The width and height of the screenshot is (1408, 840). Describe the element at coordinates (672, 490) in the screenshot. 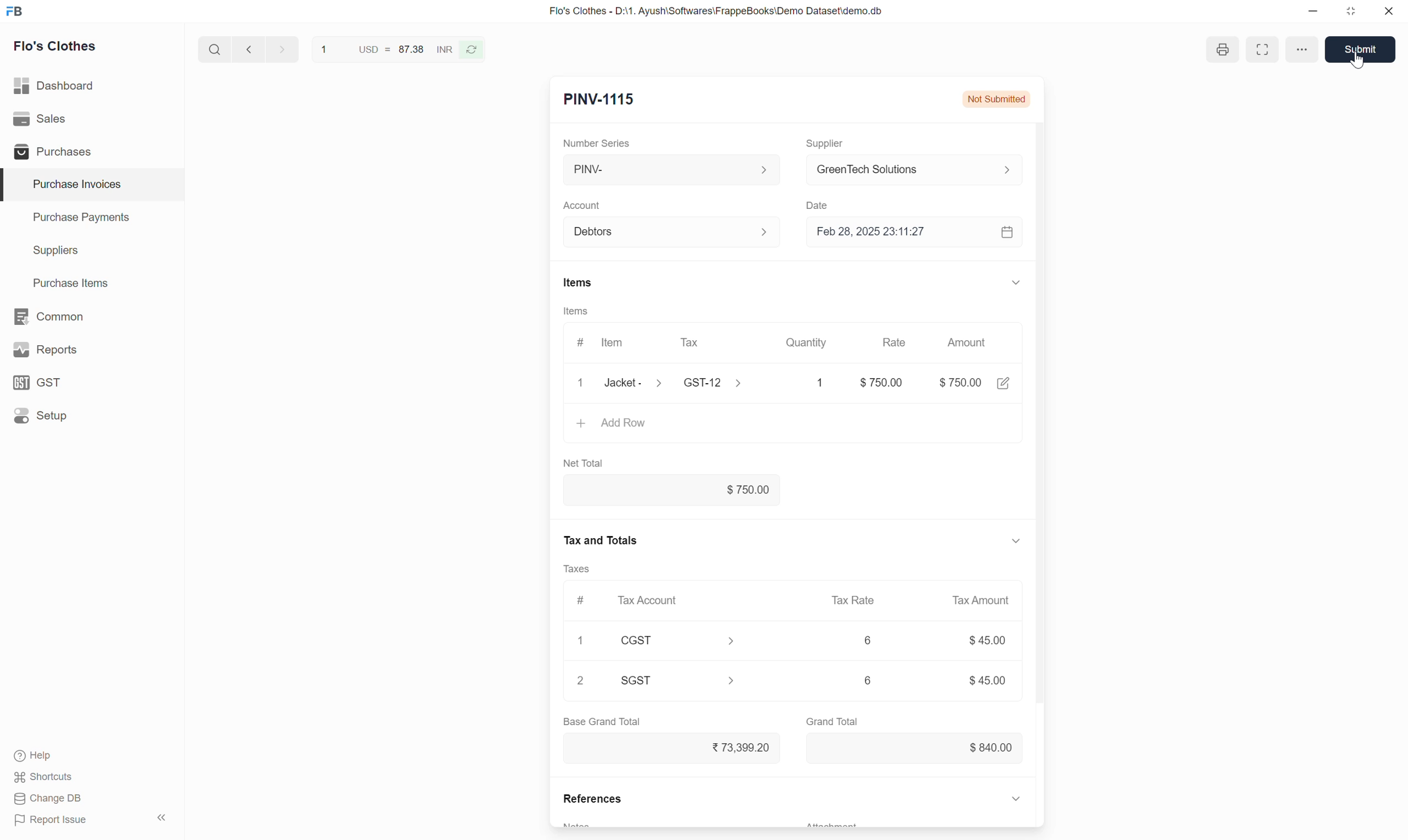

I see `$102.99` at that location.